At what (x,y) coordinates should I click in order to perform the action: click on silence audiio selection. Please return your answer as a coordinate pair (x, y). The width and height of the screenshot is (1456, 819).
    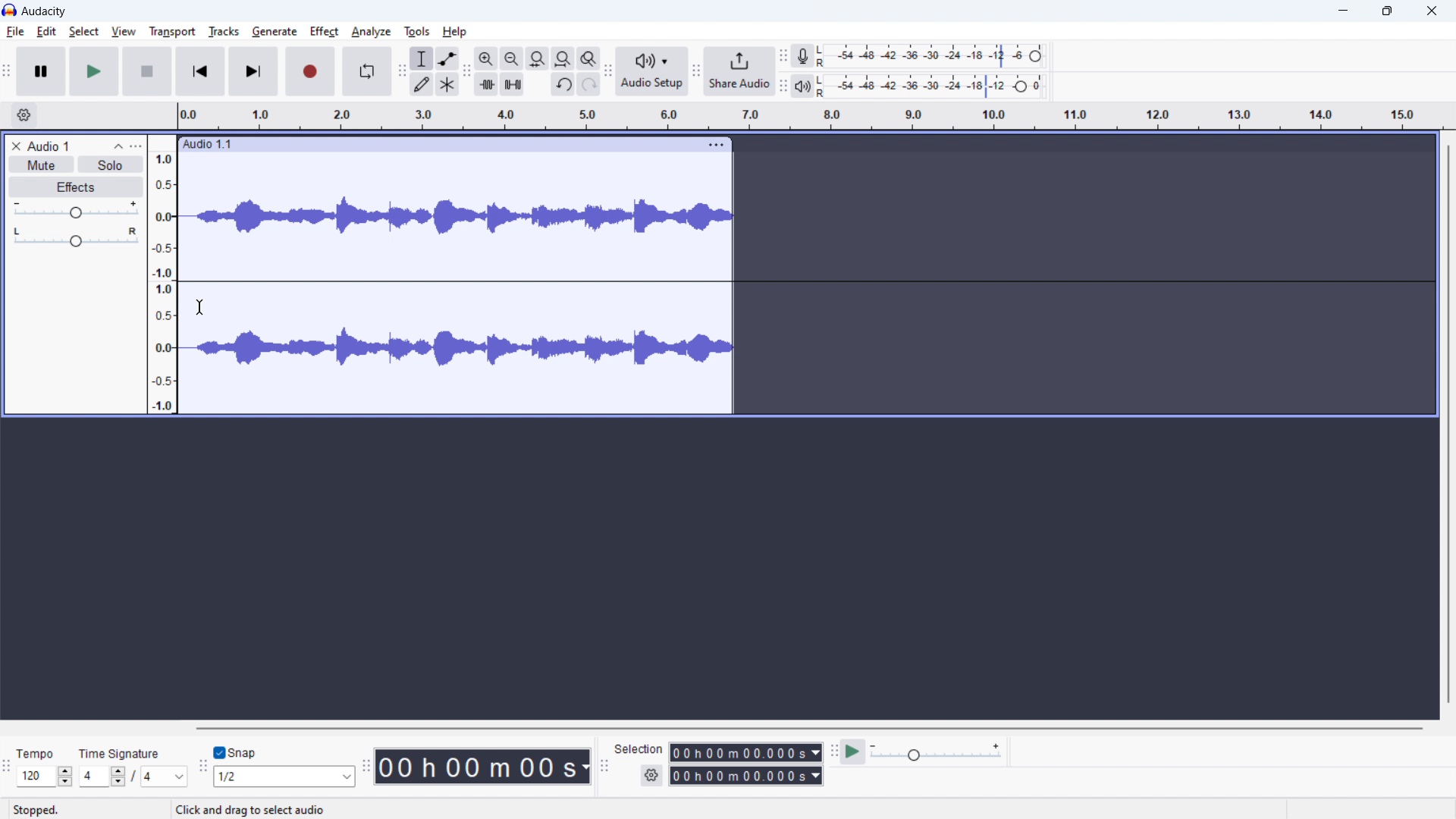
    Looking at the image, I should click on (513, 84).